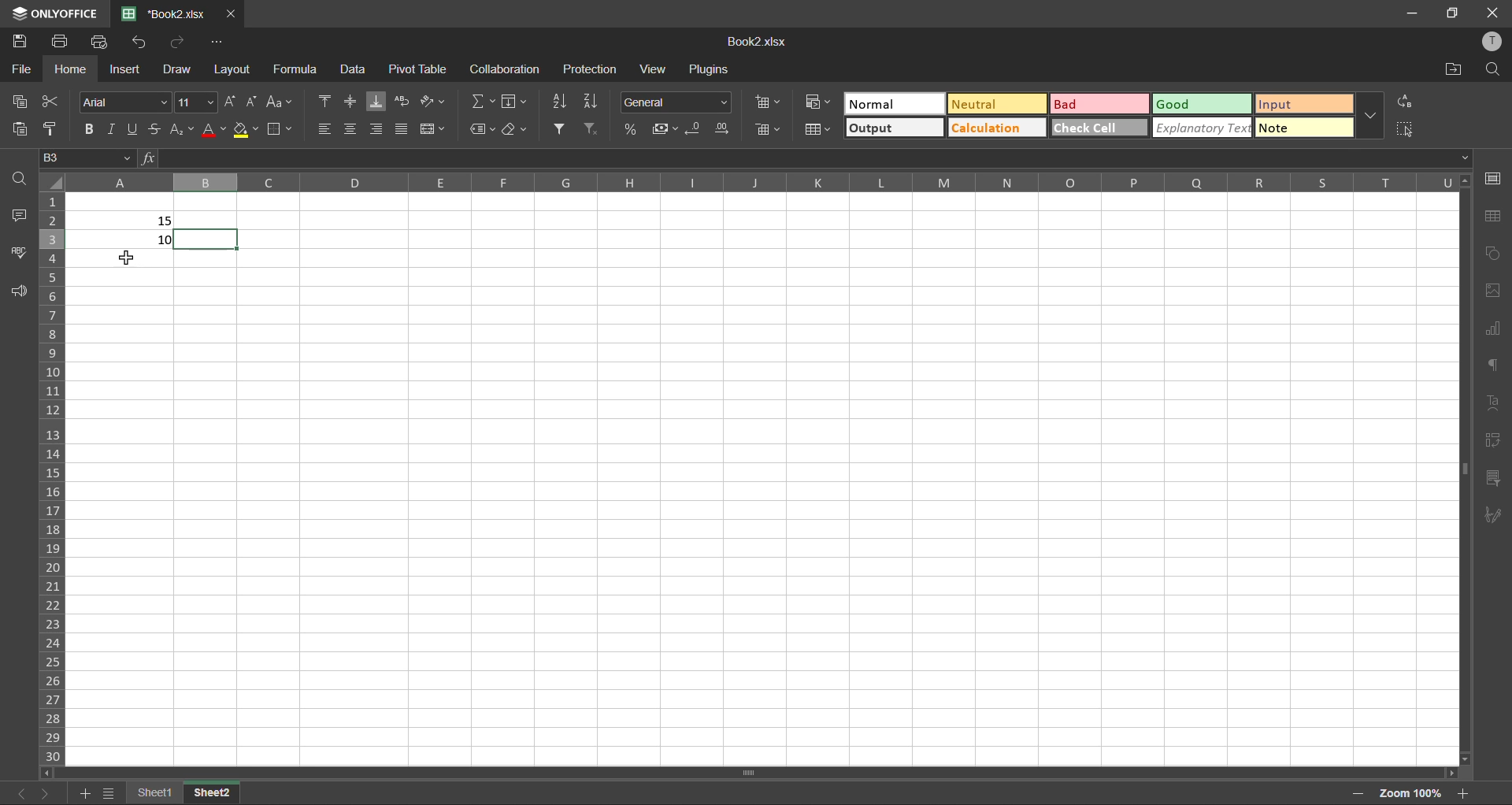 The width and height of the screenshot is (1512, 805). Describe the element at coordinates (87, 126) in the screenshot. I see `bold` at that location.